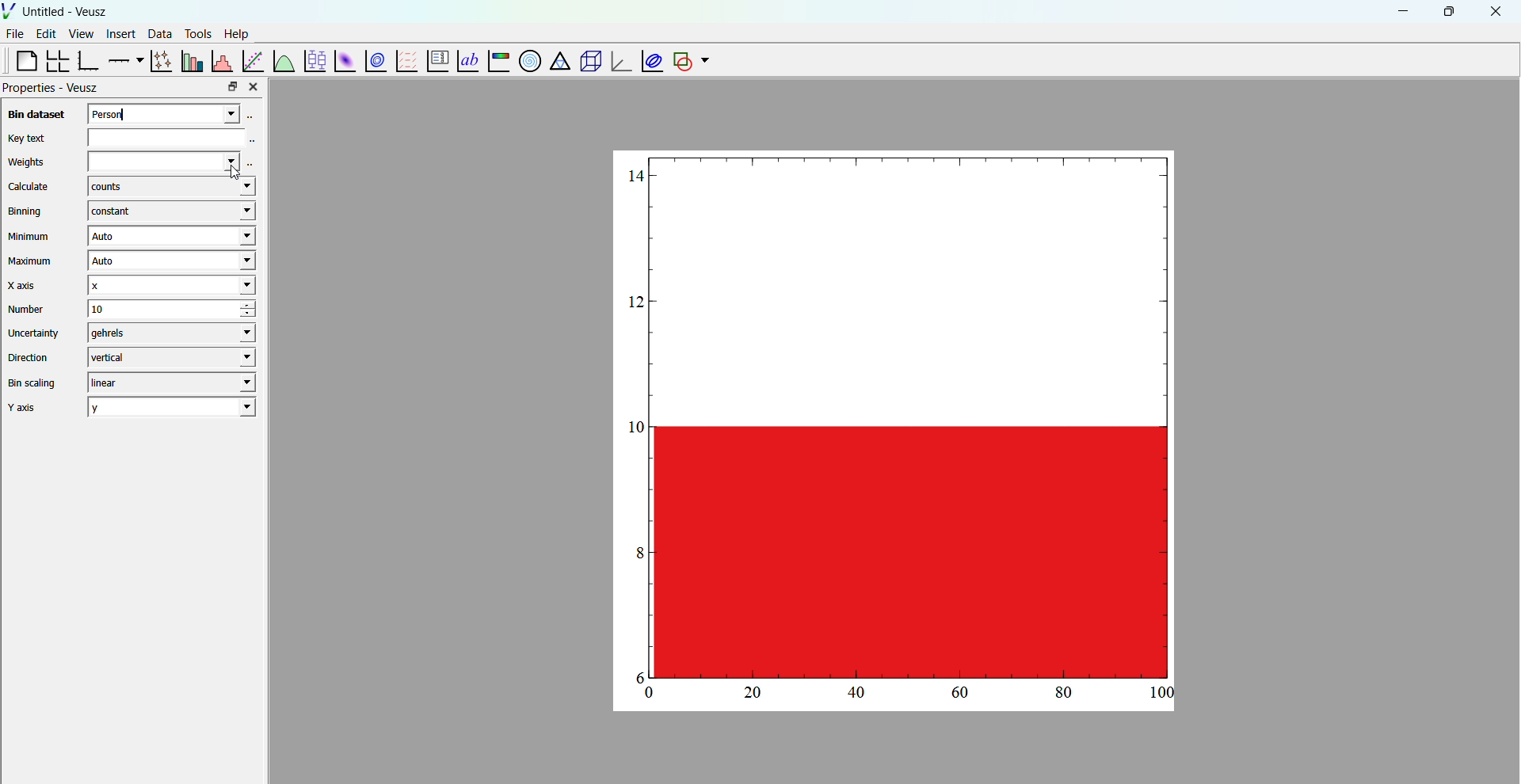 Image resolution: width=1521 pixels, height=784 pixels. Describe the element at coordinates (28, 211) in the screenshot. I see `Binning` at that location.